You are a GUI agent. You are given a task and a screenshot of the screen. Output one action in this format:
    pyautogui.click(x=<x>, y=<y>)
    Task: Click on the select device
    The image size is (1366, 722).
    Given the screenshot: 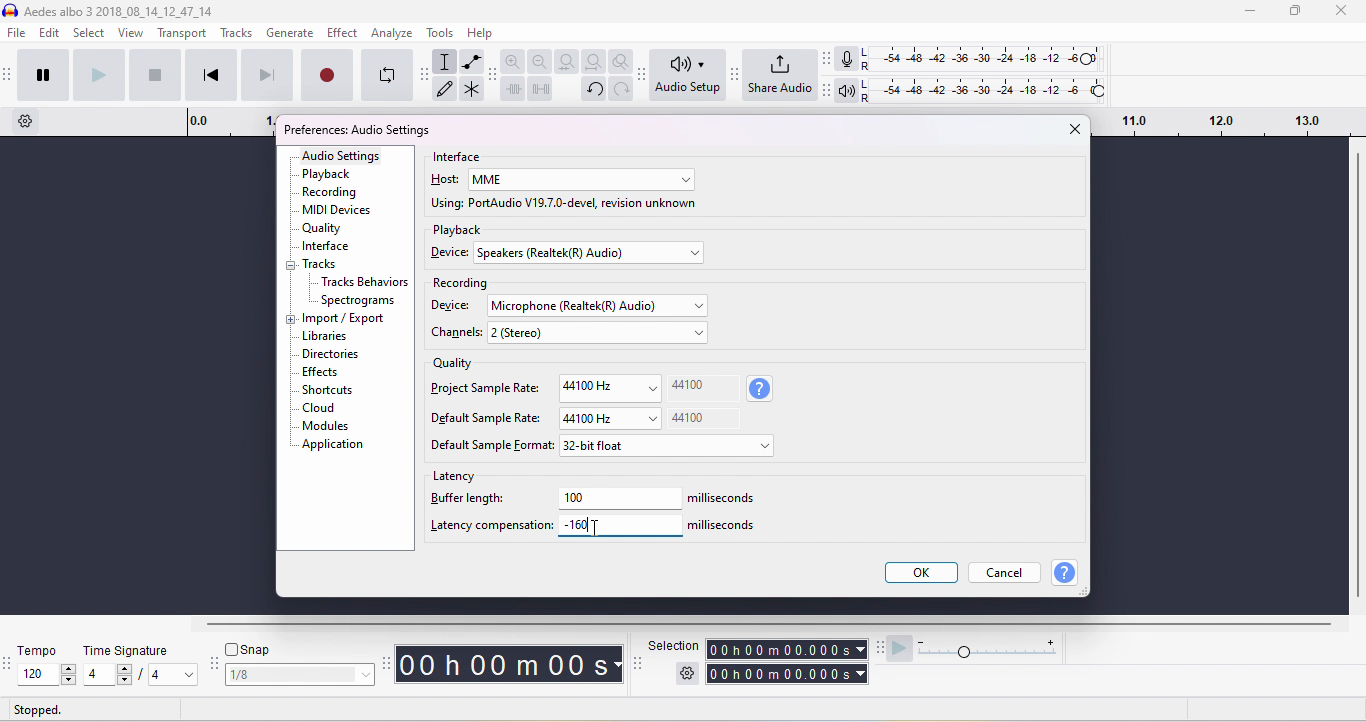 What is the action you would take?
    pyautogui.click(x=590, y=254)
    